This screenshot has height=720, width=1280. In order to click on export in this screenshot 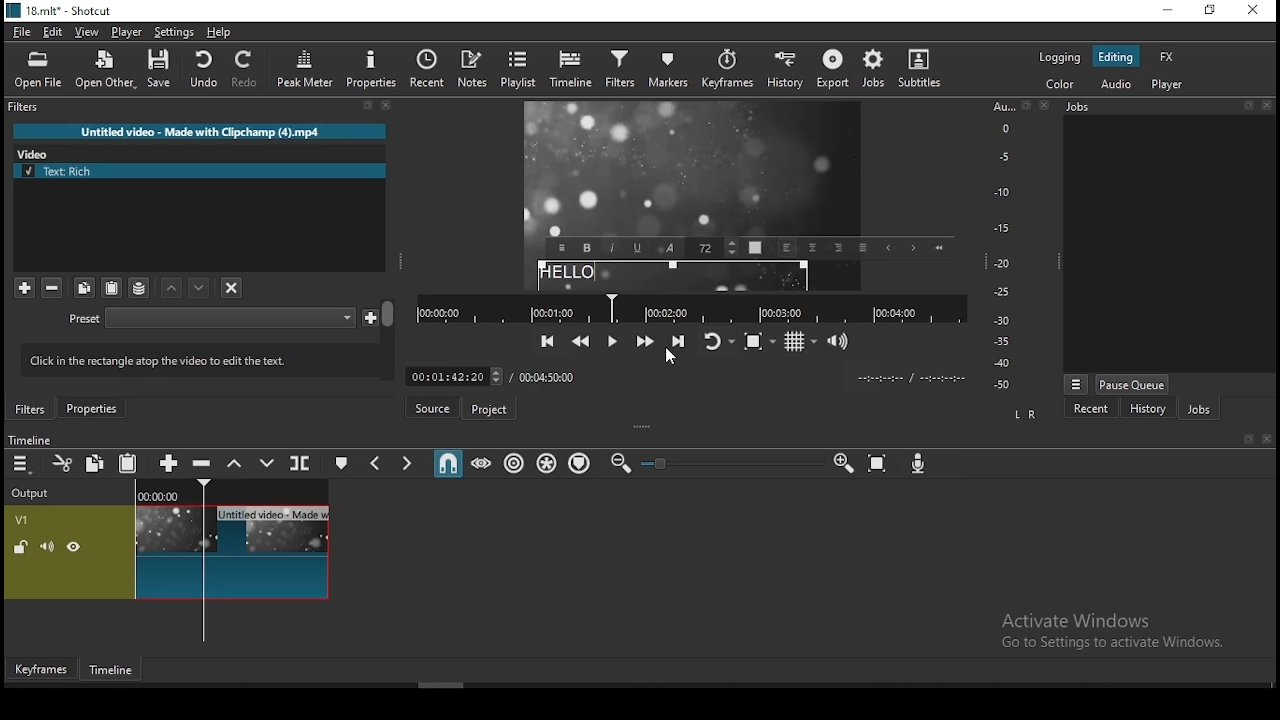, I will do `click(831, 72)`.